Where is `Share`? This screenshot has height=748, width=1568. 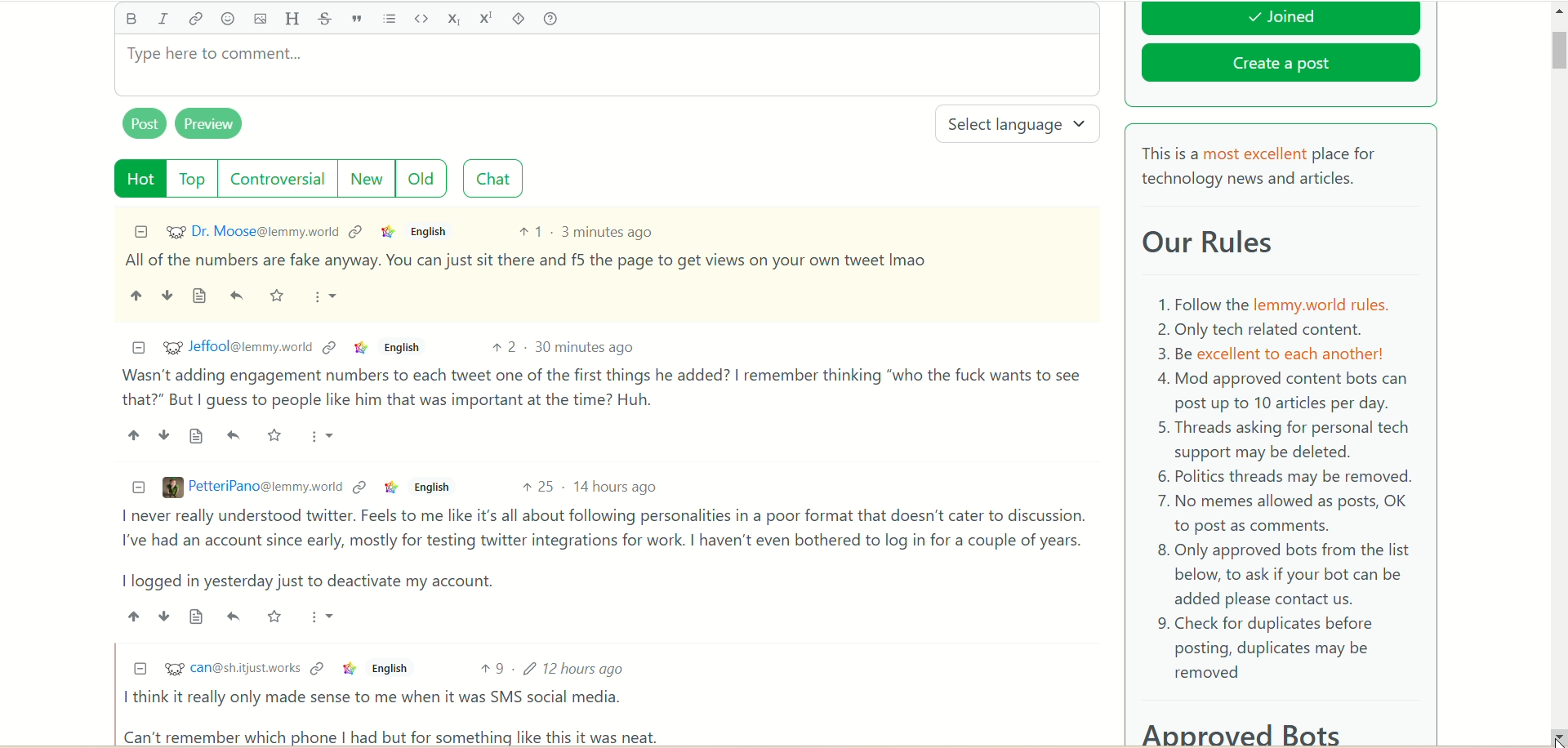
Share is located at coordinates (239, 296).